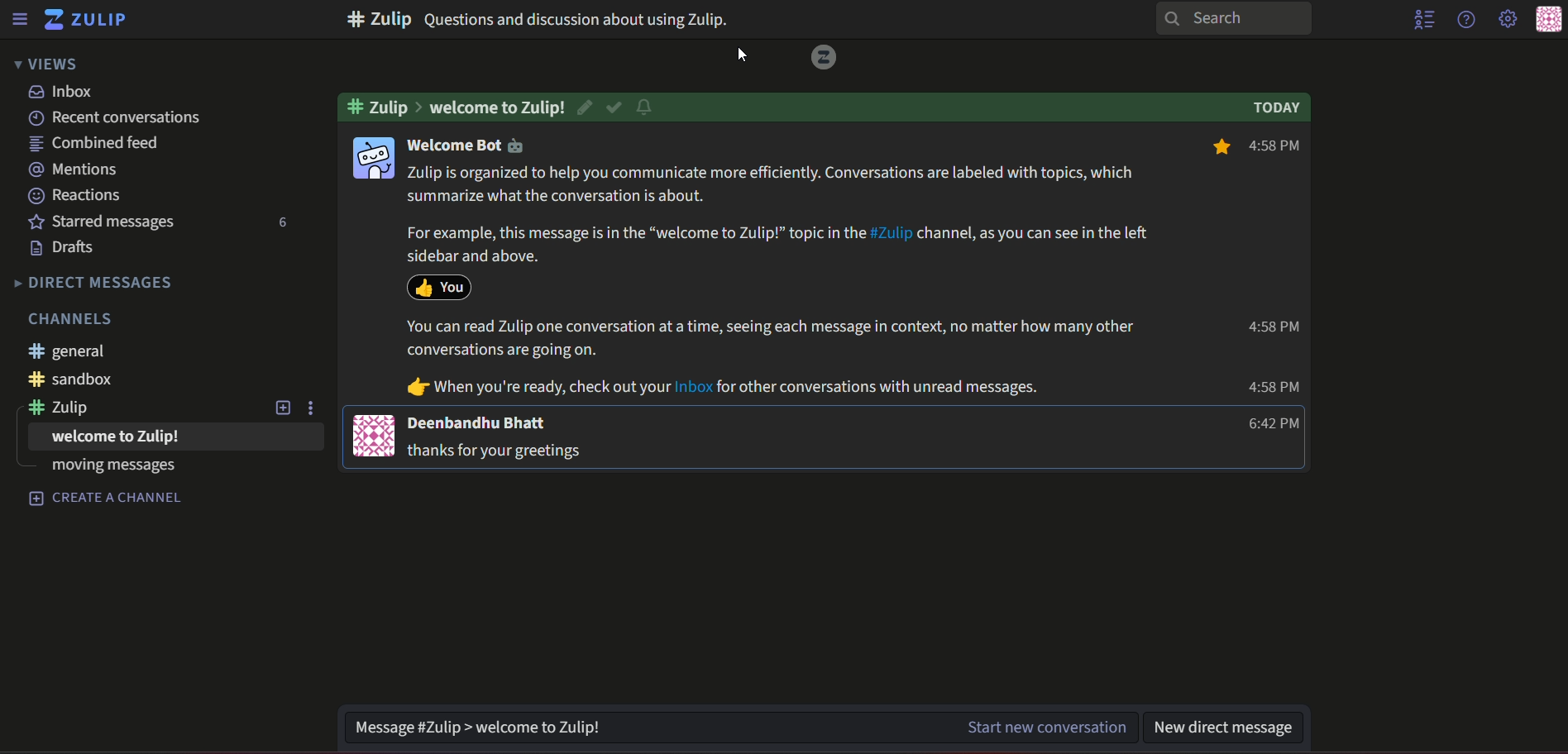  Describe the element at coordinates (1465, 20) in the screenshot. I see `help menu` at that location.